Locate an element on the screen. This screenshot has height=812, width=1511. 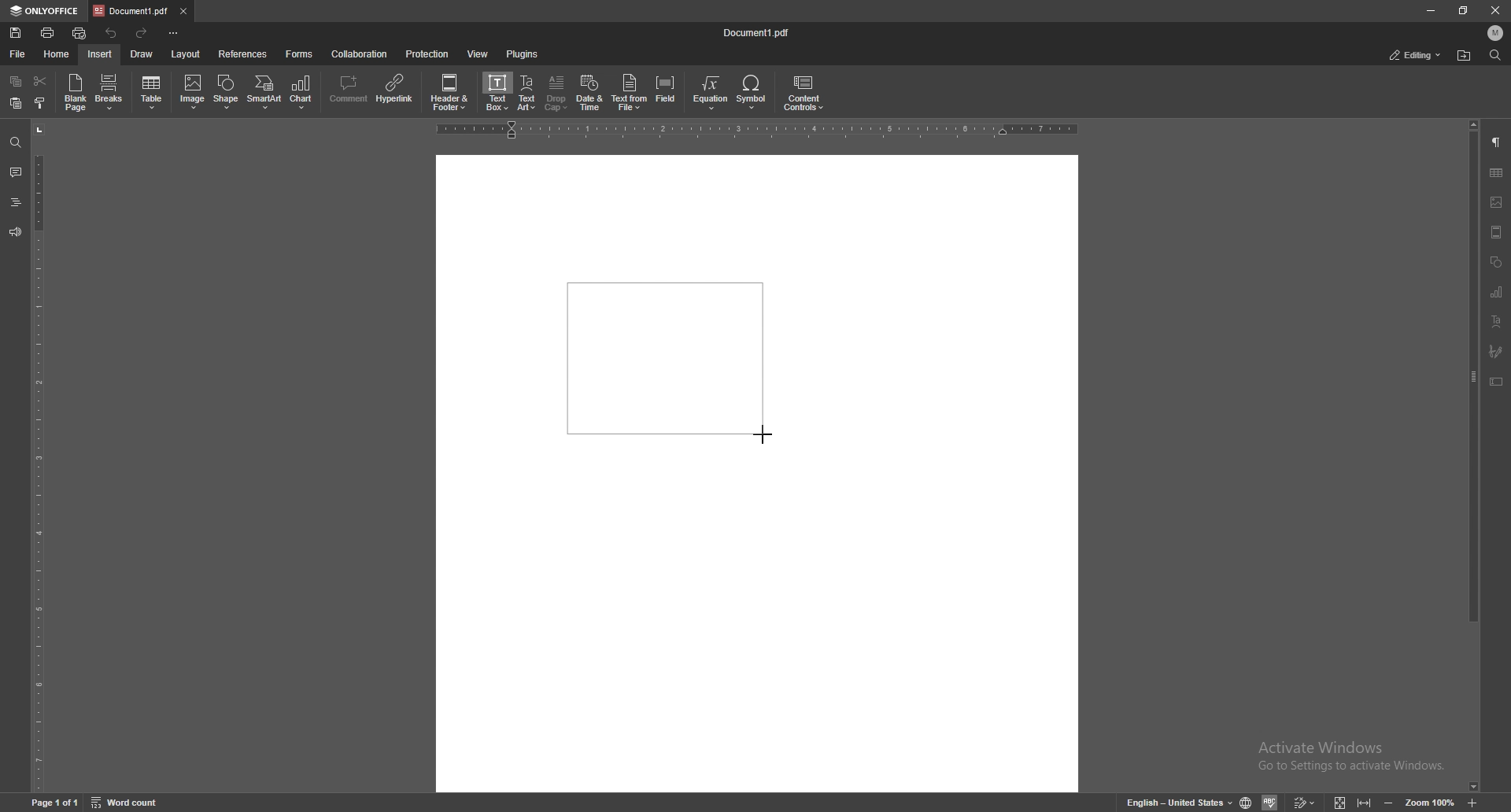
text art is located at coordinates (1496, 321).